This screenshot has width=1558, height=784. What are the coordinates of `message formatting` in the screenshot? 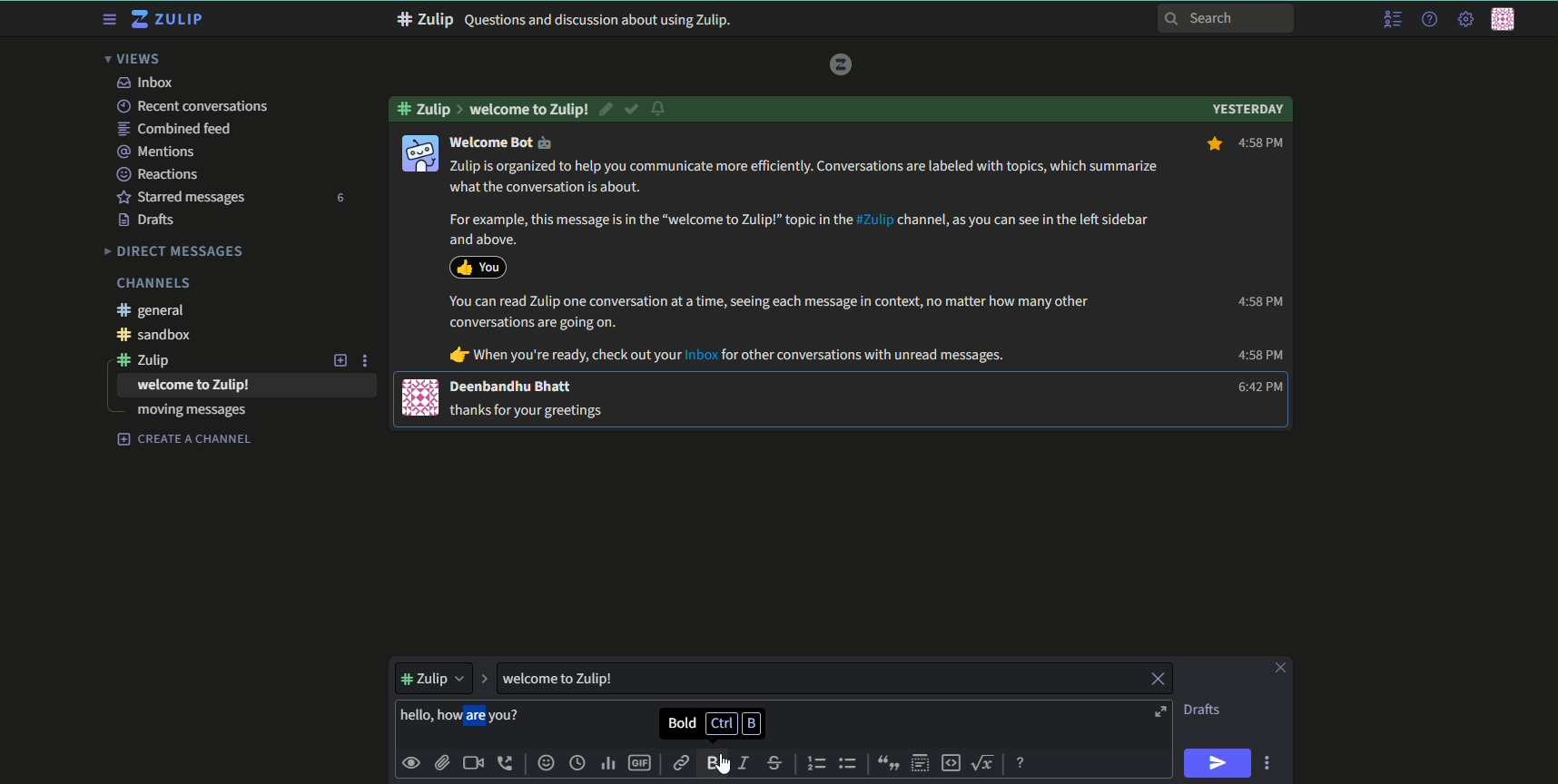 It's located at (1022, 760).